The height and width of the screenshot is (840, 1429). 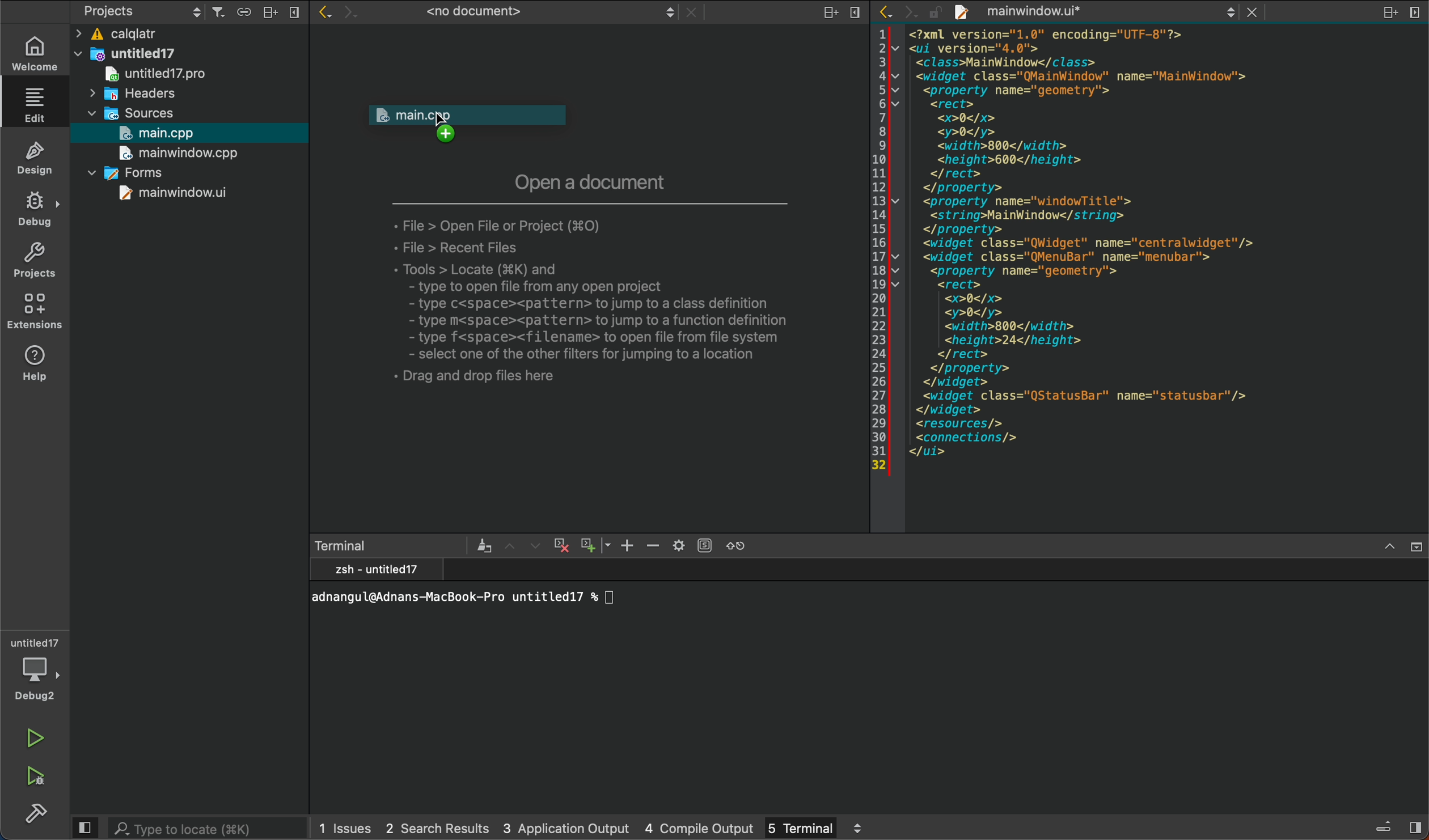 What do you see at coordinates (654, 546) in the screenshot?
I see `zoom out` at bounding box center [654, 546].